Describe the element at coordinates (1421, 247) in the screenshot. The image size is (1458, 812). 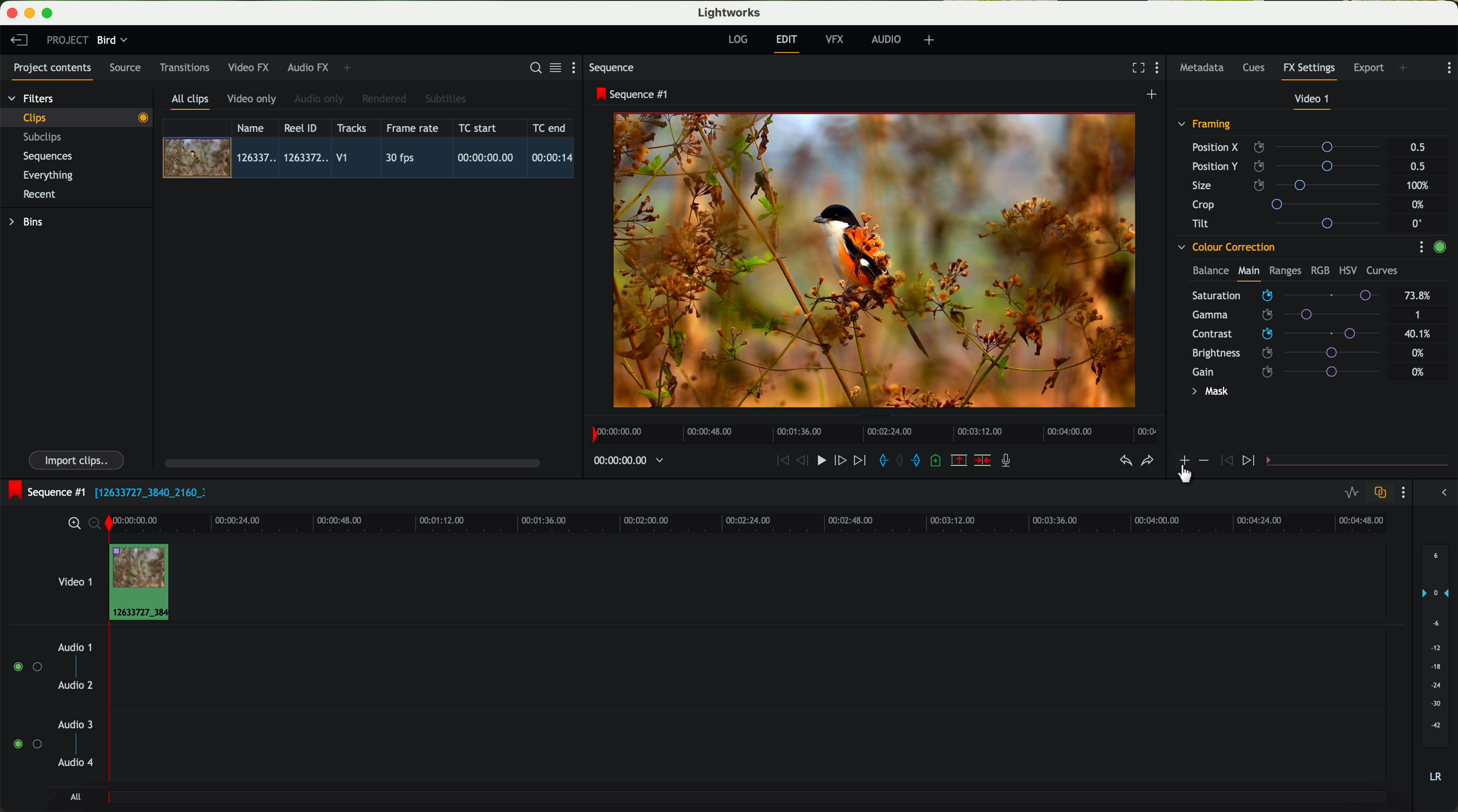
I see `show settings menu` at that location.